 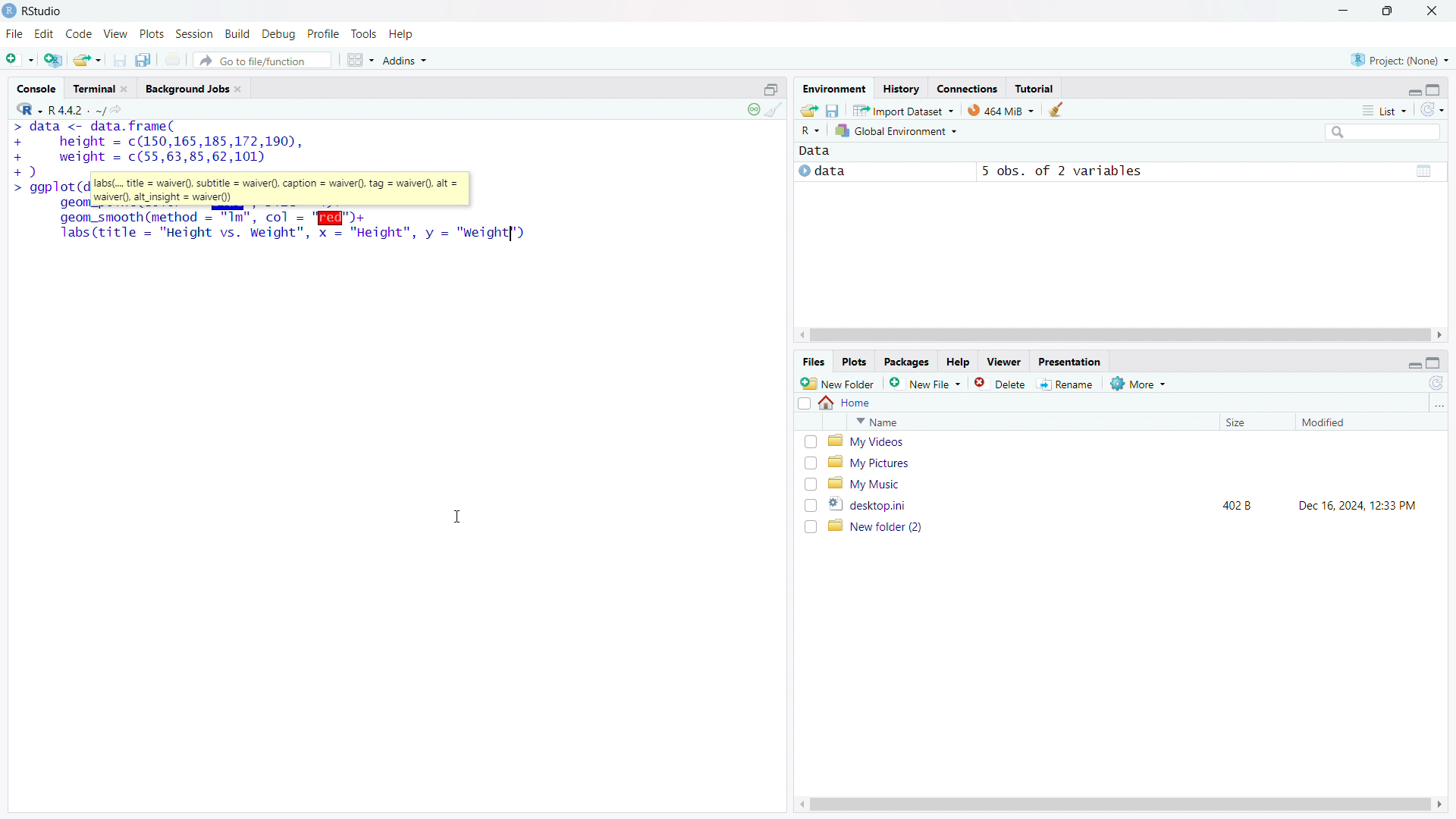 What do you see at coordinates (1055, 109) in the screenshot?
I see `clear objects from the workspace` at bounding box center [1055, 109].